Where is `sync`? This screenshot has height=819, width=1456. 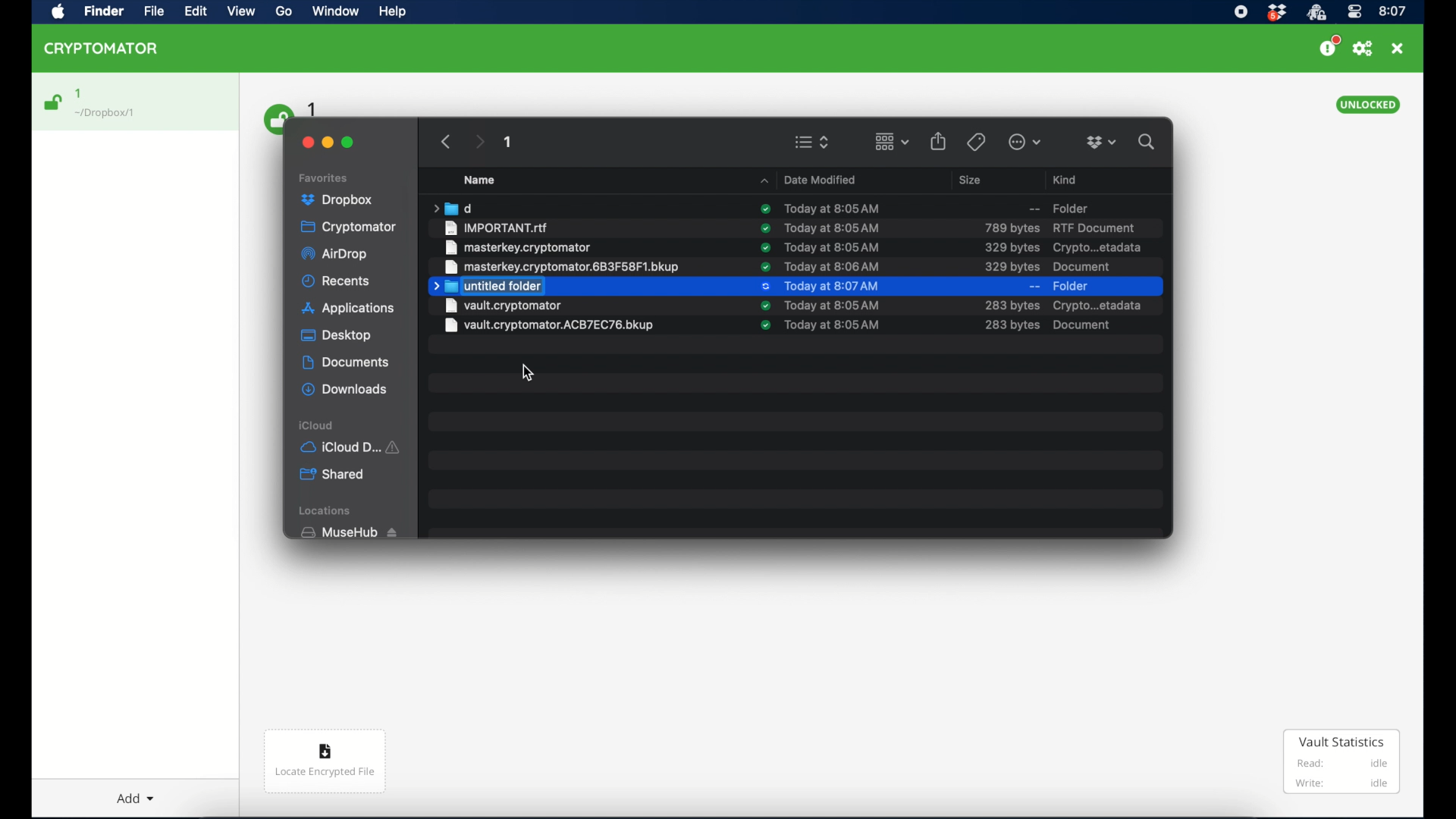
sync is located at coordinates (764, 210).